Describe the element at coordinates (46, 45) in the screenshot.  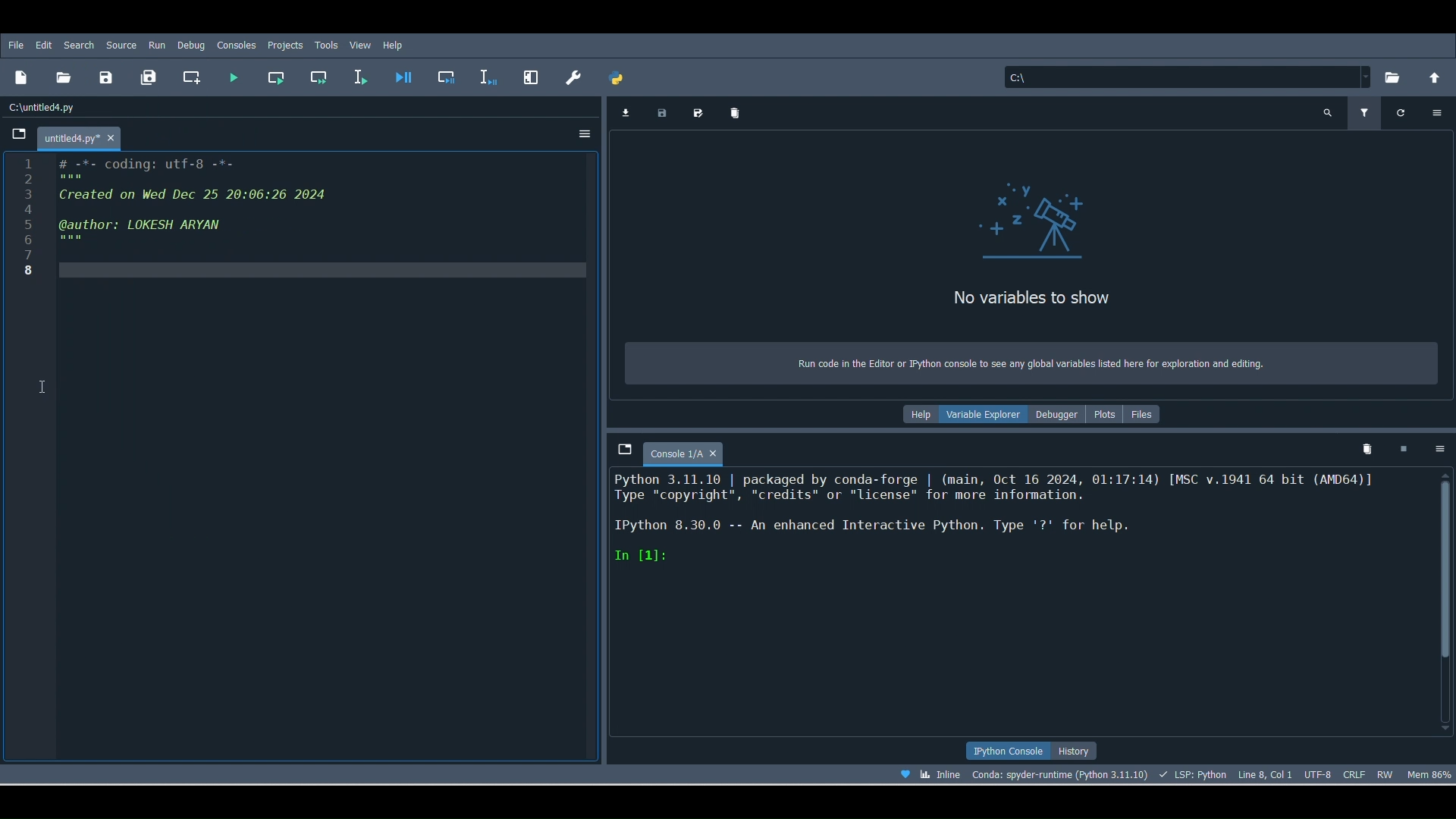
I see `Edit` at that location.